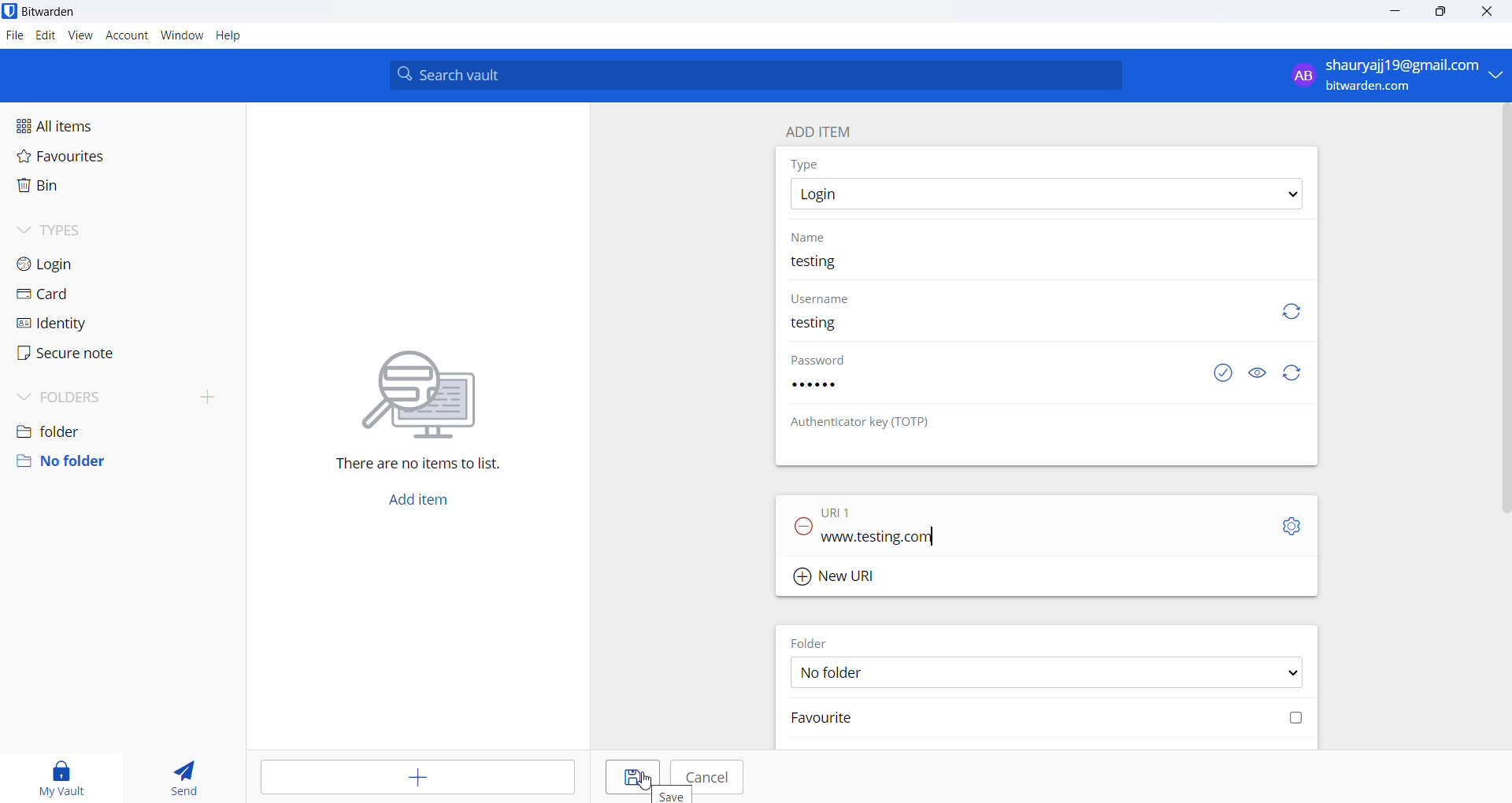  I want to click on secure note, so click(80, 354).